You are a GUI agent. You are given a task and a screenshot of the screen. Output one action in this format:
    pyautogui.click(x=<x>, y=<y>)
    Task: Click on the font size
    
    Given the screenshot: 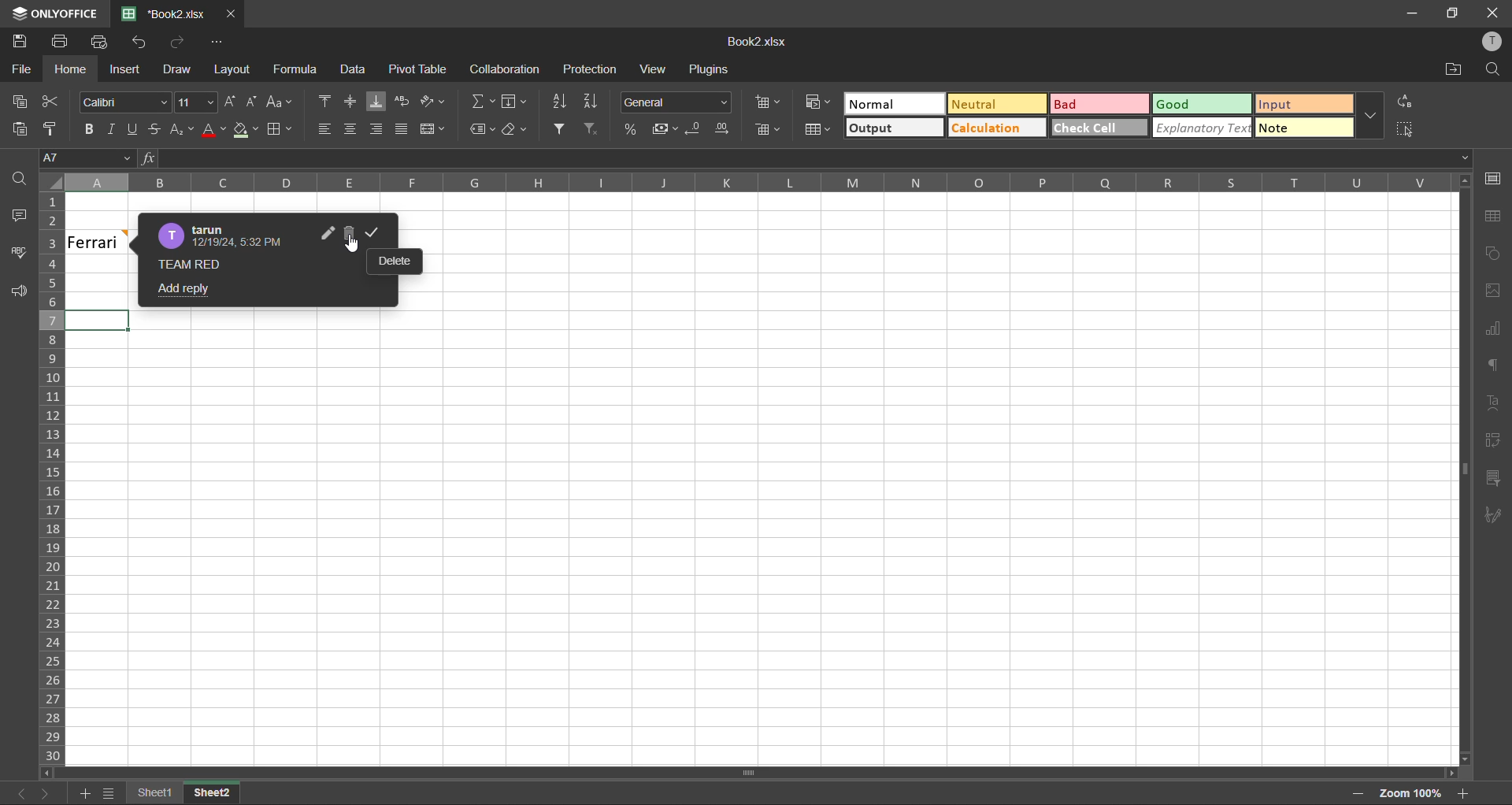 What is the action you would take?
    pyautogui.click(x=196, y=103)
    